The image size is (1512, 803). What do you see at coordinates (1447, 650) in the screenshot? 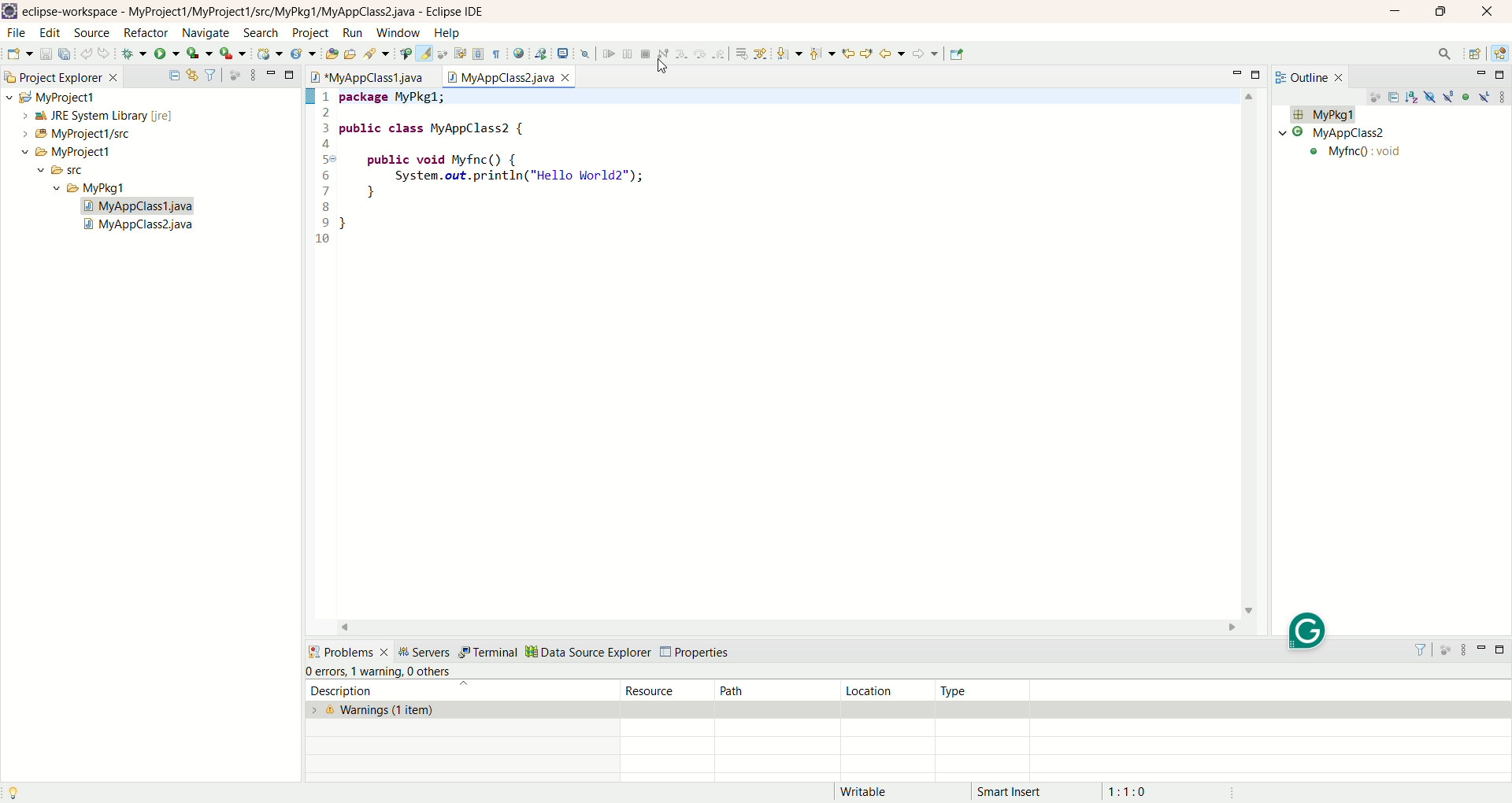
I see `focus on active task` at bounding box center [1447, 650].